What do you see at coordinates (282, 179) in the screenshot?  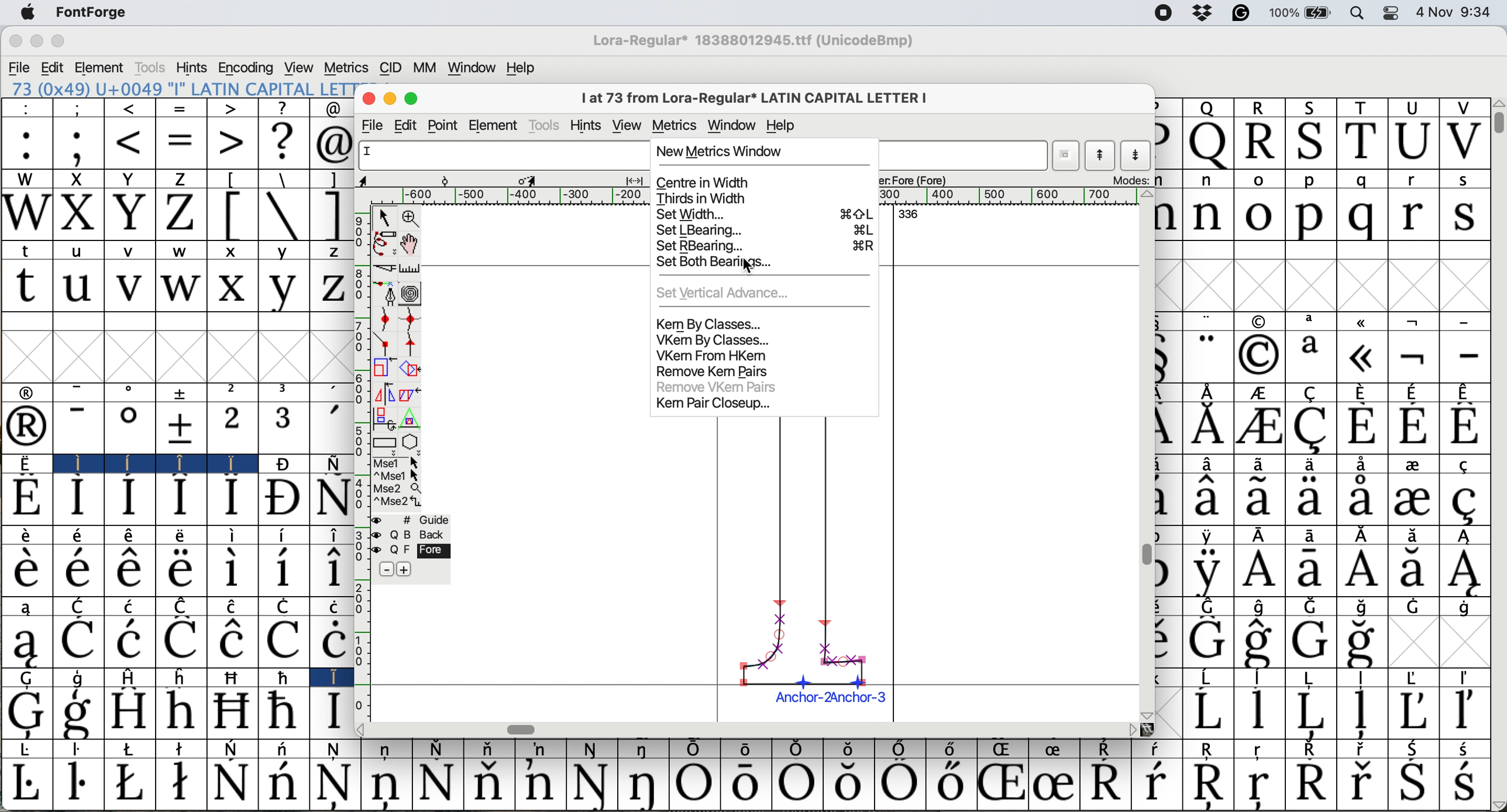 I see `\` at bounding box center [282, 179].